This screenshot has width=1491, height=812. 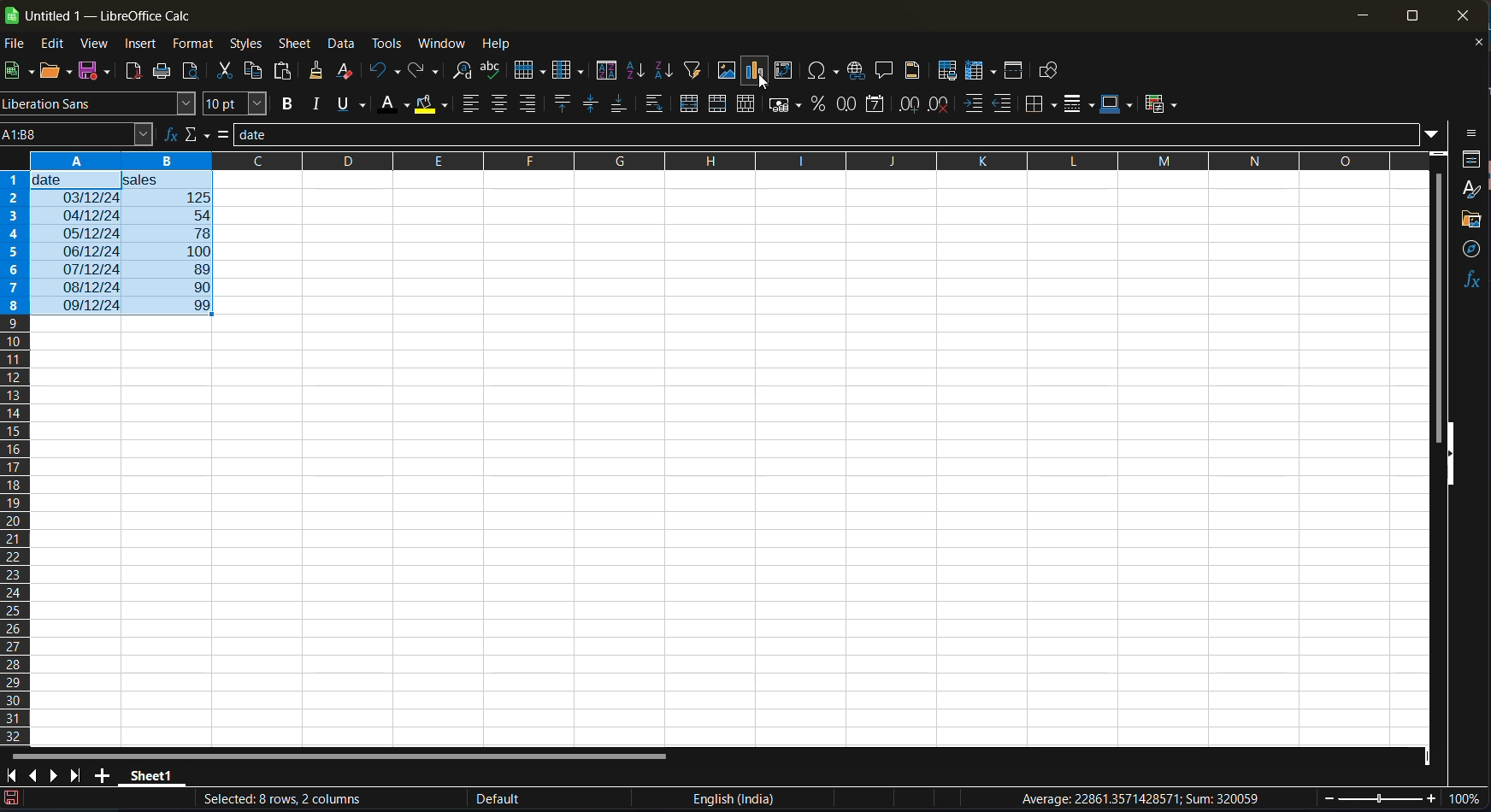 I want to click on scroll to previous sheet, so click(x=33, y=774).